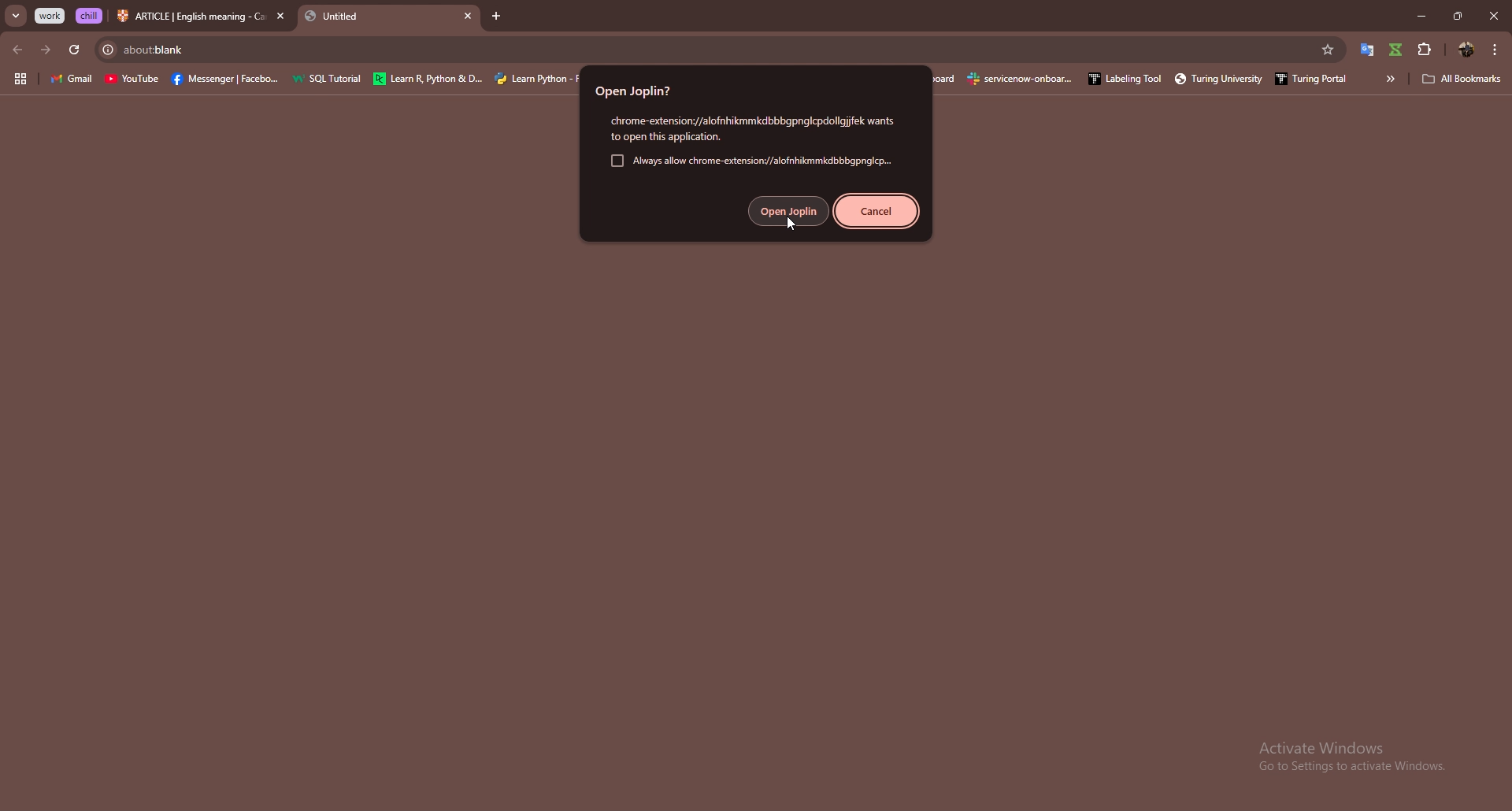 This screenshot has height=811, width=1512. Describe the element at coordinates (280, 16) in the screenshot. I see `close tab` at that location.